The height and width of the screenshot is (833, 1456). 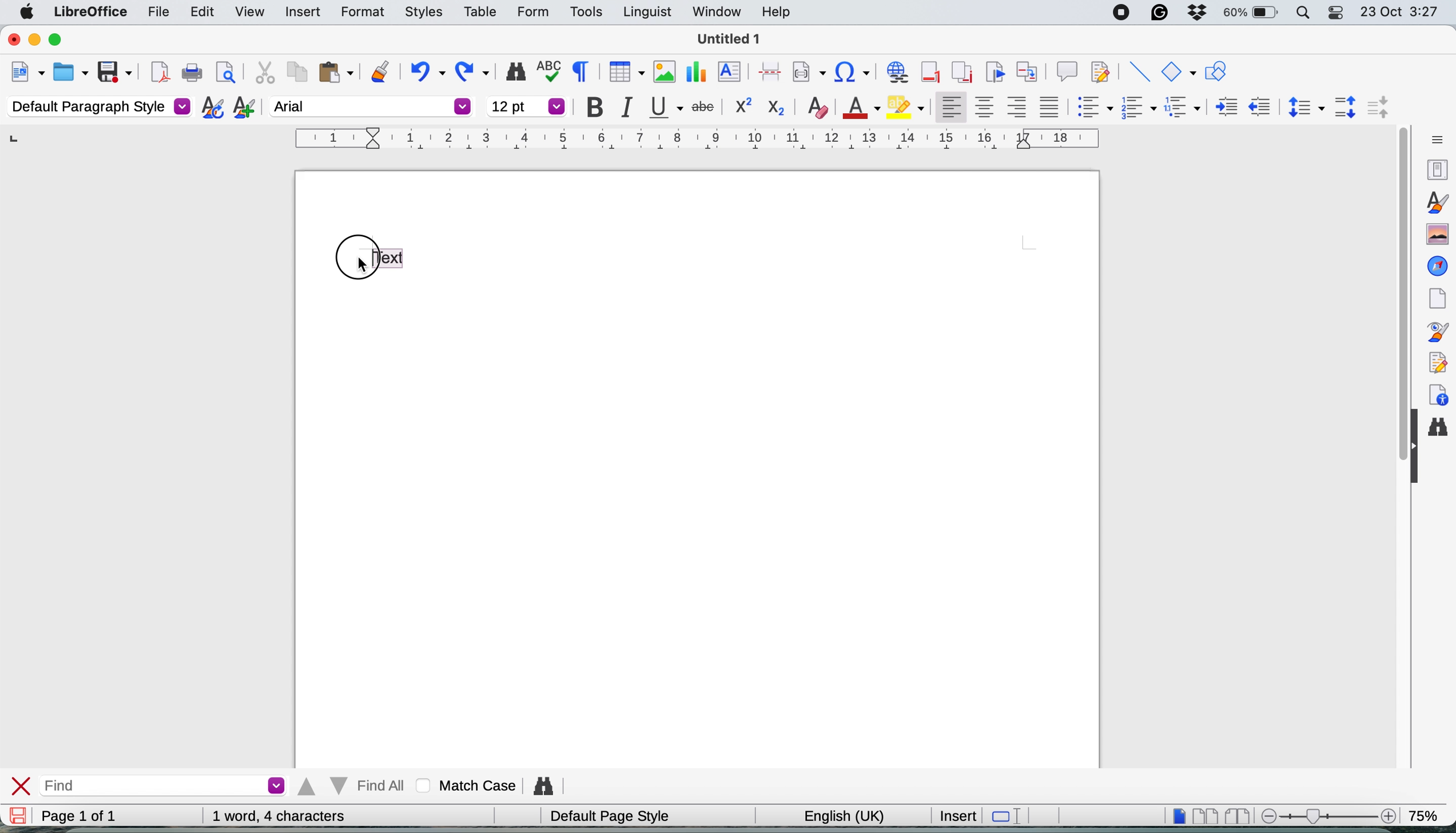 I want to click on insert hyperlink, so click(x=895, y=73).